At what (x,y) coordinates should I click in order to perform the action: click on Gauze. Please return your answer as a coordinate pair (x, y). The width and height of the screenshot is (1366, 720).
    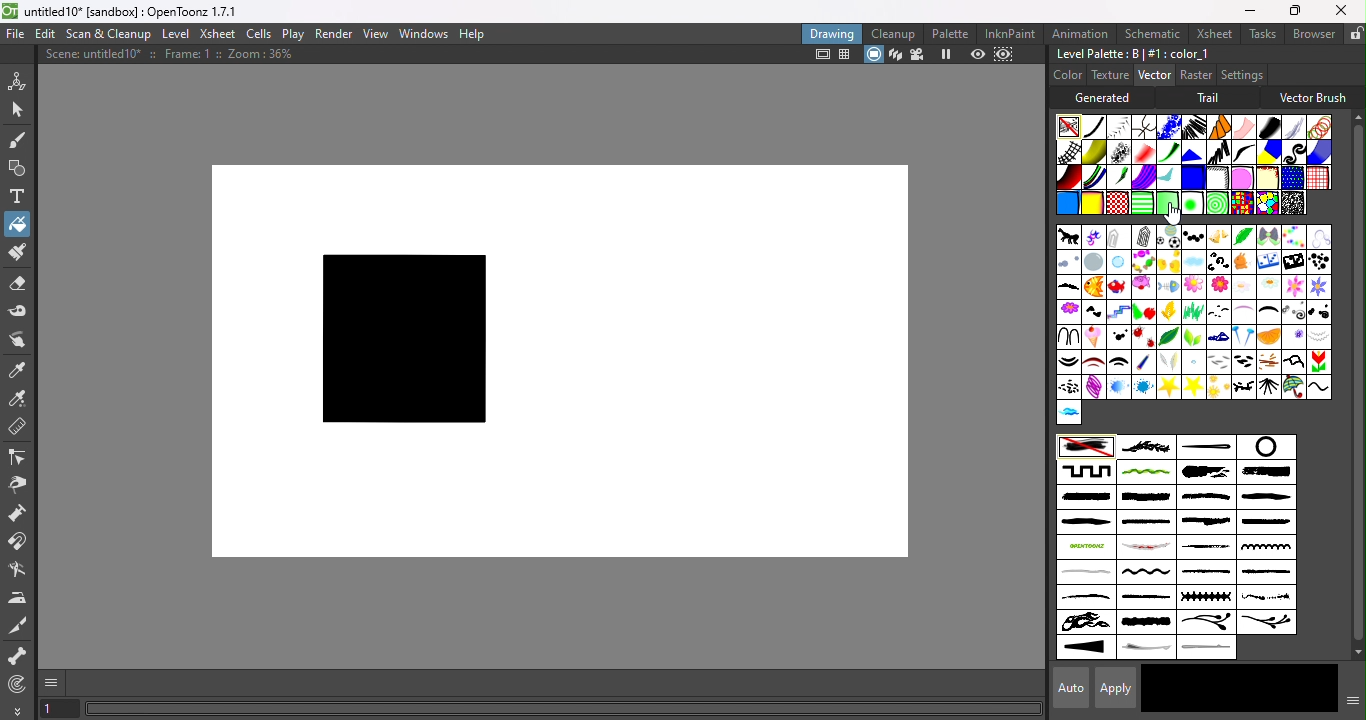
    Looking at the image, I should click on (1070, 152).